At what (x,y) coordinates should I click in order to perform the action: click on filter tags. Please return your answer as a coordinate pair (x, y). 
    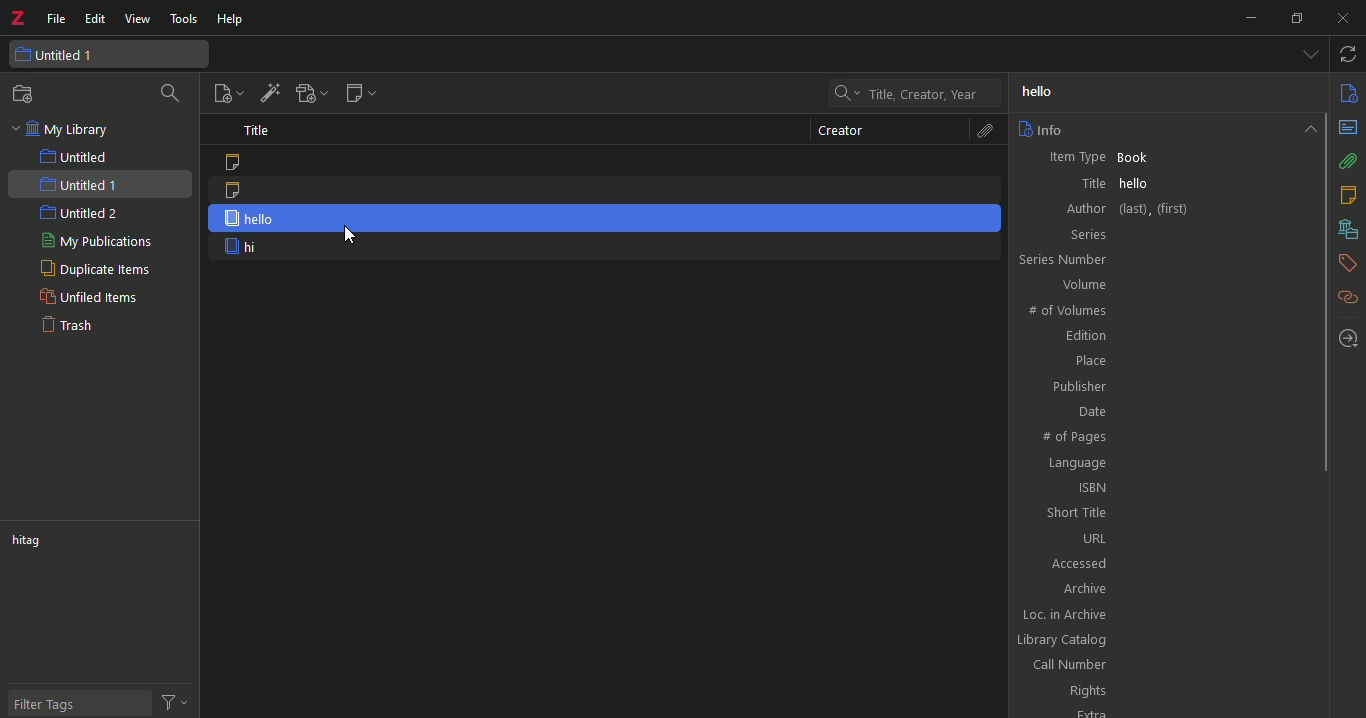
    Looking at the image, I should click on (72, 698).